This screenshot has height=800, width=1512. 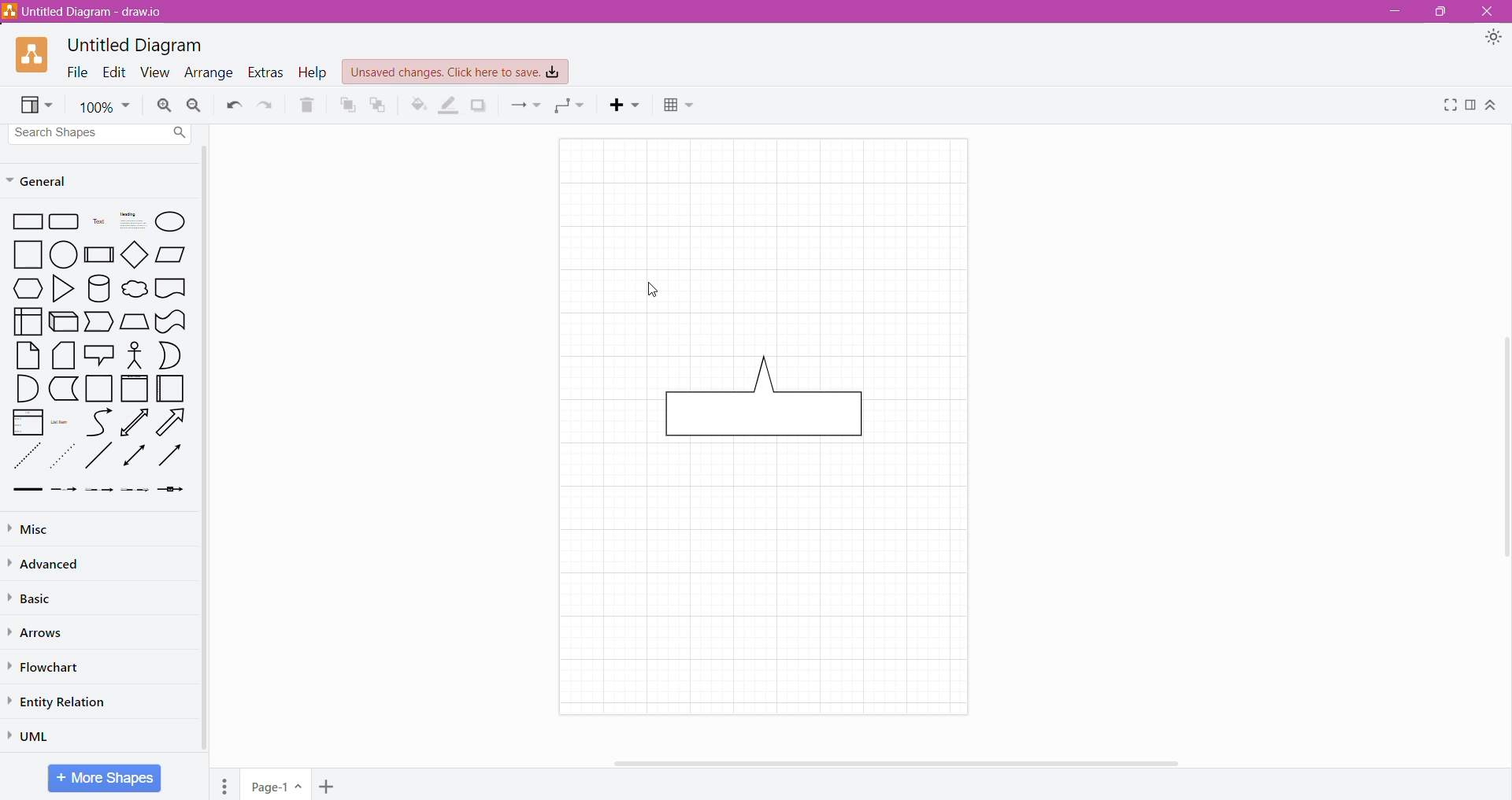 What do you see at coordinates (24, 223) in the screenshot?
I see `rectangle` at bounding box center [24, 223].